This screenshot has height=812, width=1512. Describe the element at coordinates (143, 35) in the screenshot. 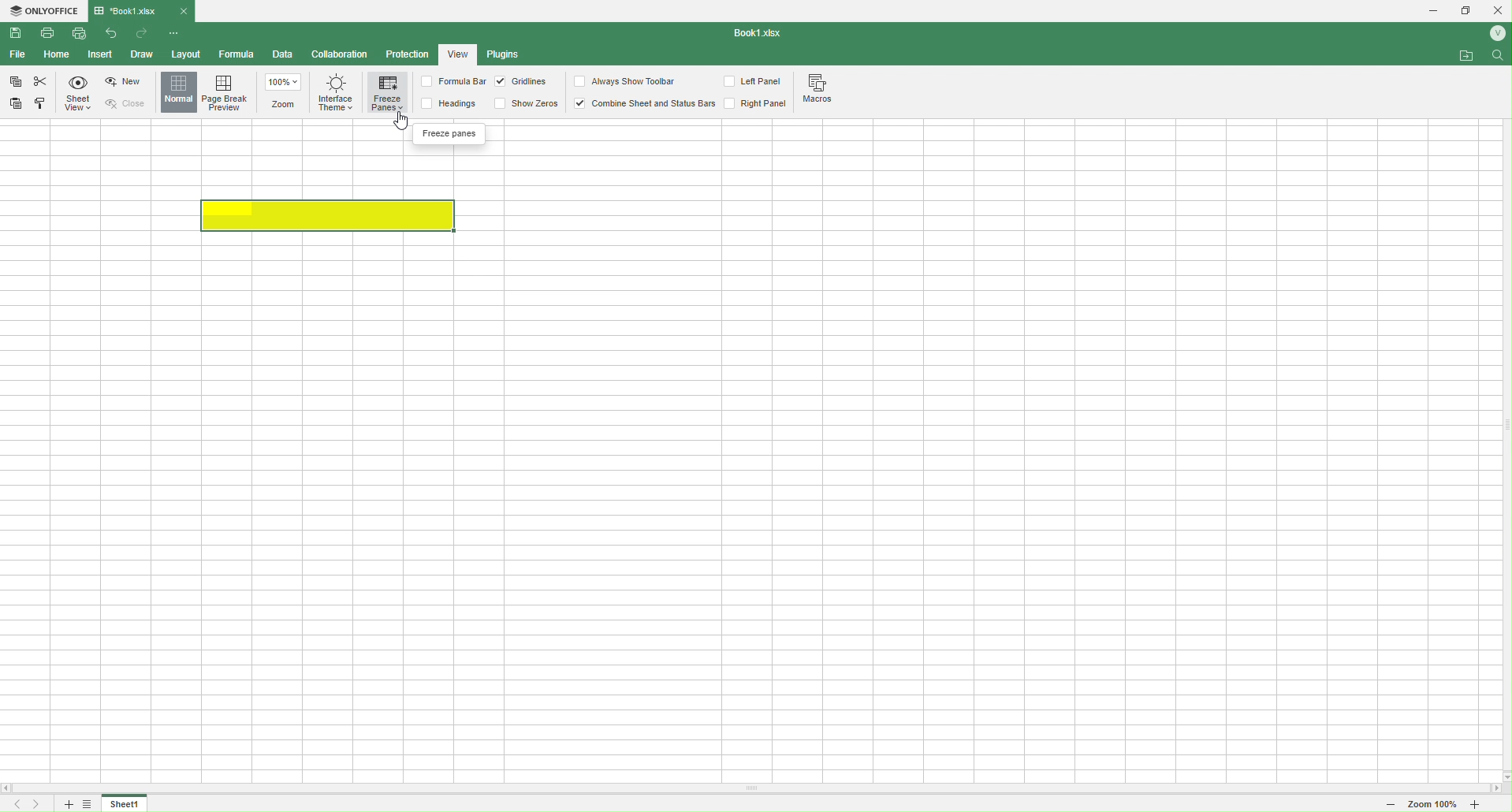

I see `Redo` at that location.